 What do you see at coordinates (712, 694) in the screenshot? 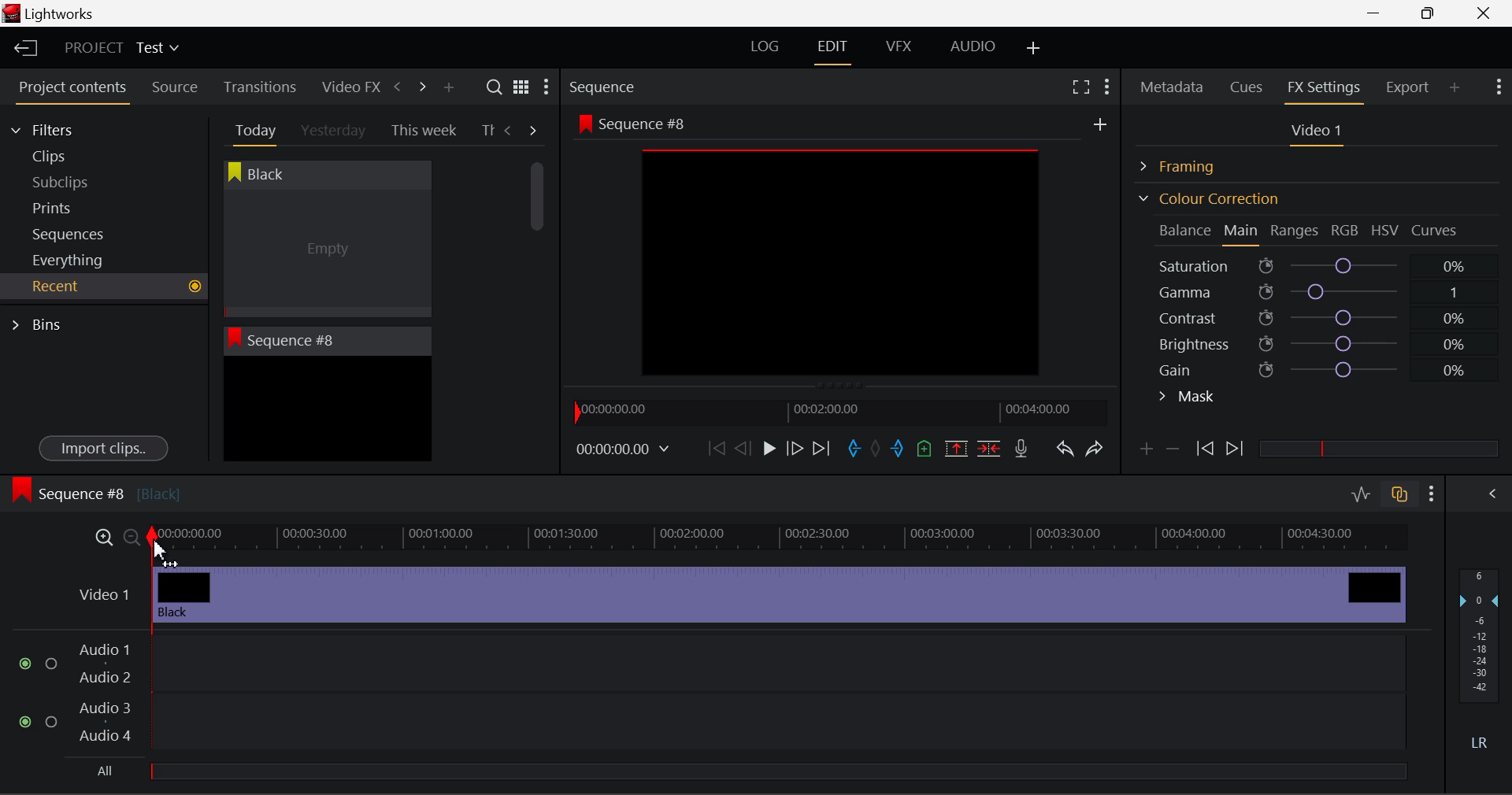
I see `Audio Input Fields` at bounding box center [712, 694].